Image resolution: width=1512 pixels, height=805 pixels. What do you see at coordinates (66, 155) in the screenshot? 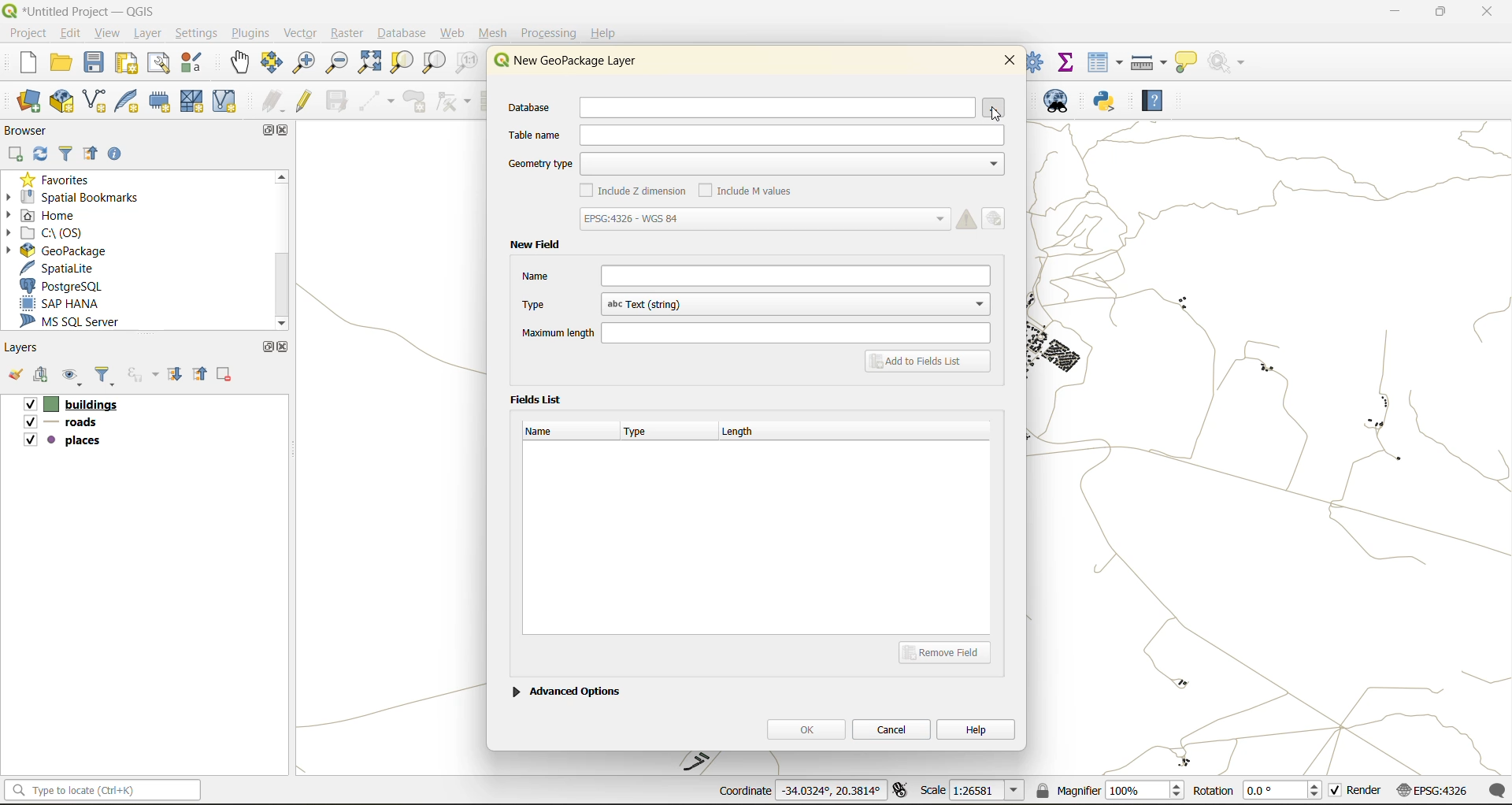
I see `filter` at bounding box center [66, 155].